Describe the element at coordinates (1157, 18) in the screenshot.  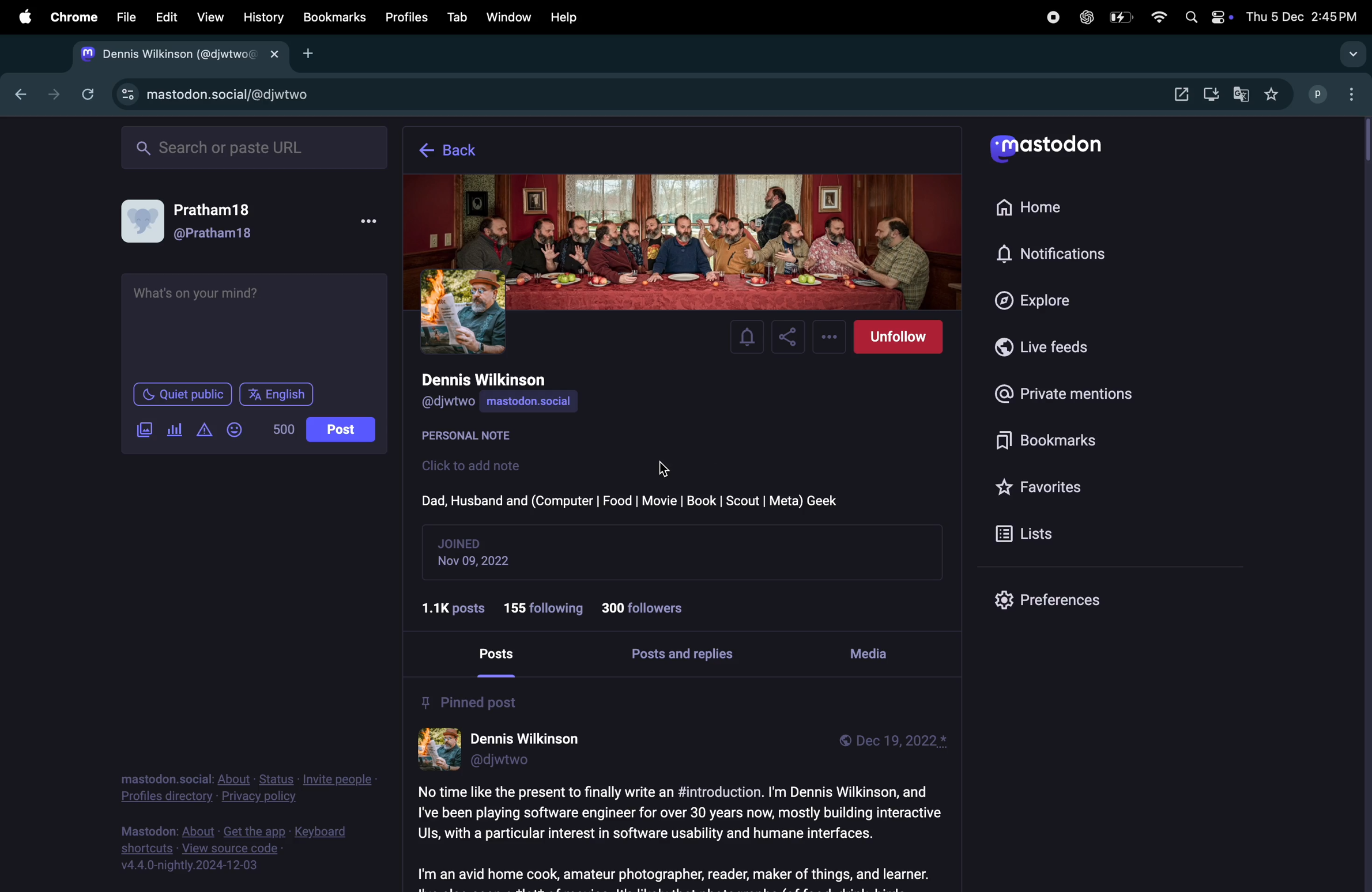
I see `wifi` at that location.